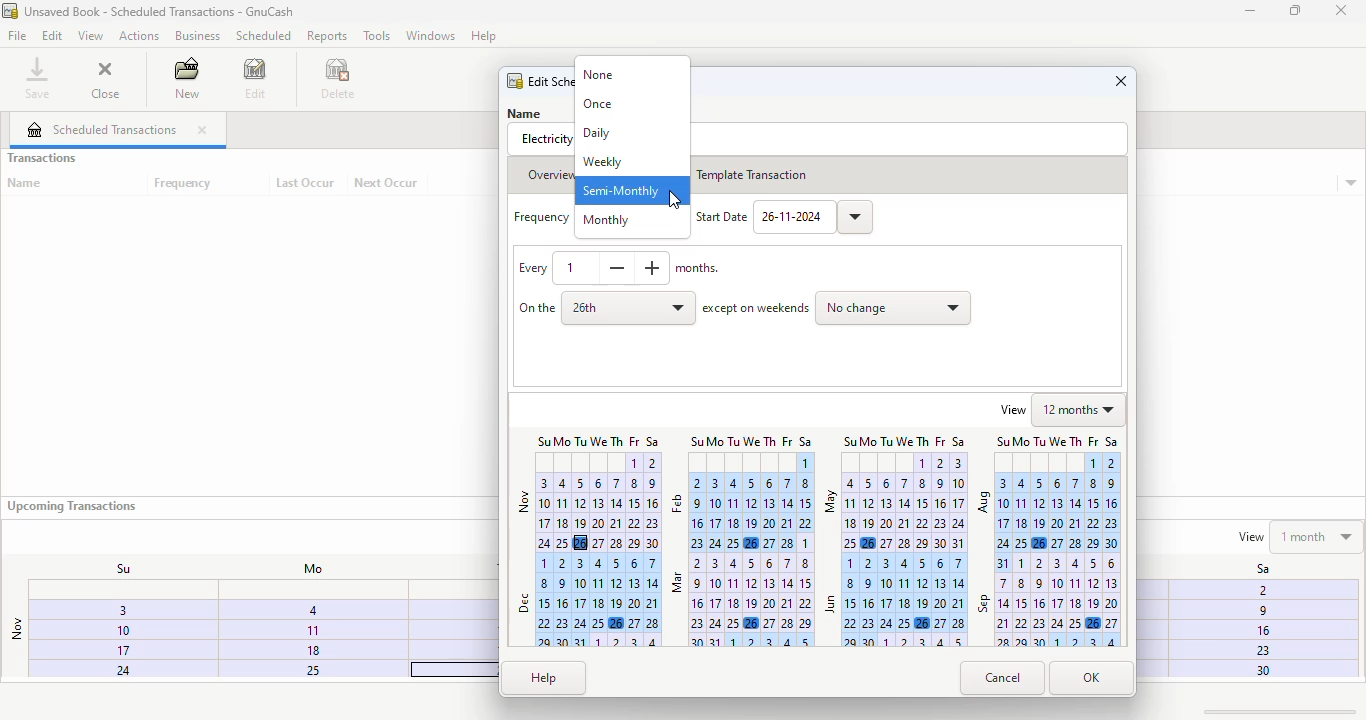 The width and height of the screenshot is (1366, 720). I want to click on new, so click(186, 77).